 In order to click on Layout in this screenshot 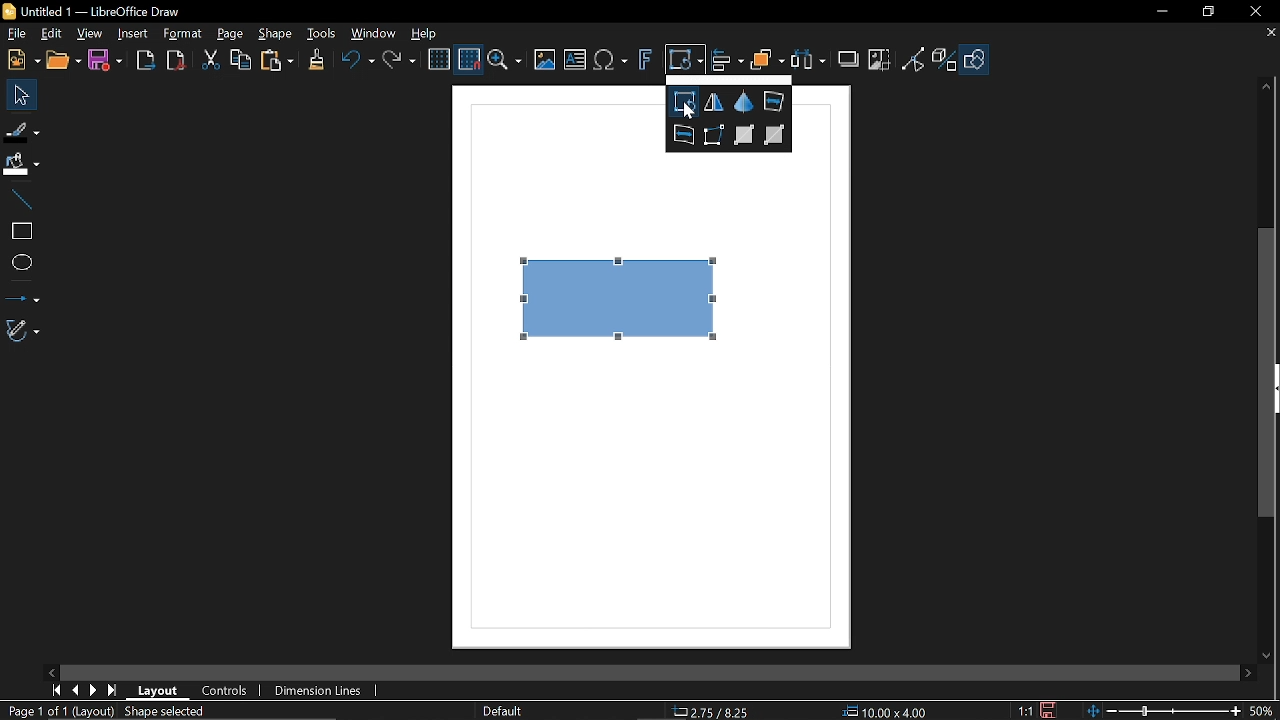, I will do `click(158, 689)`.